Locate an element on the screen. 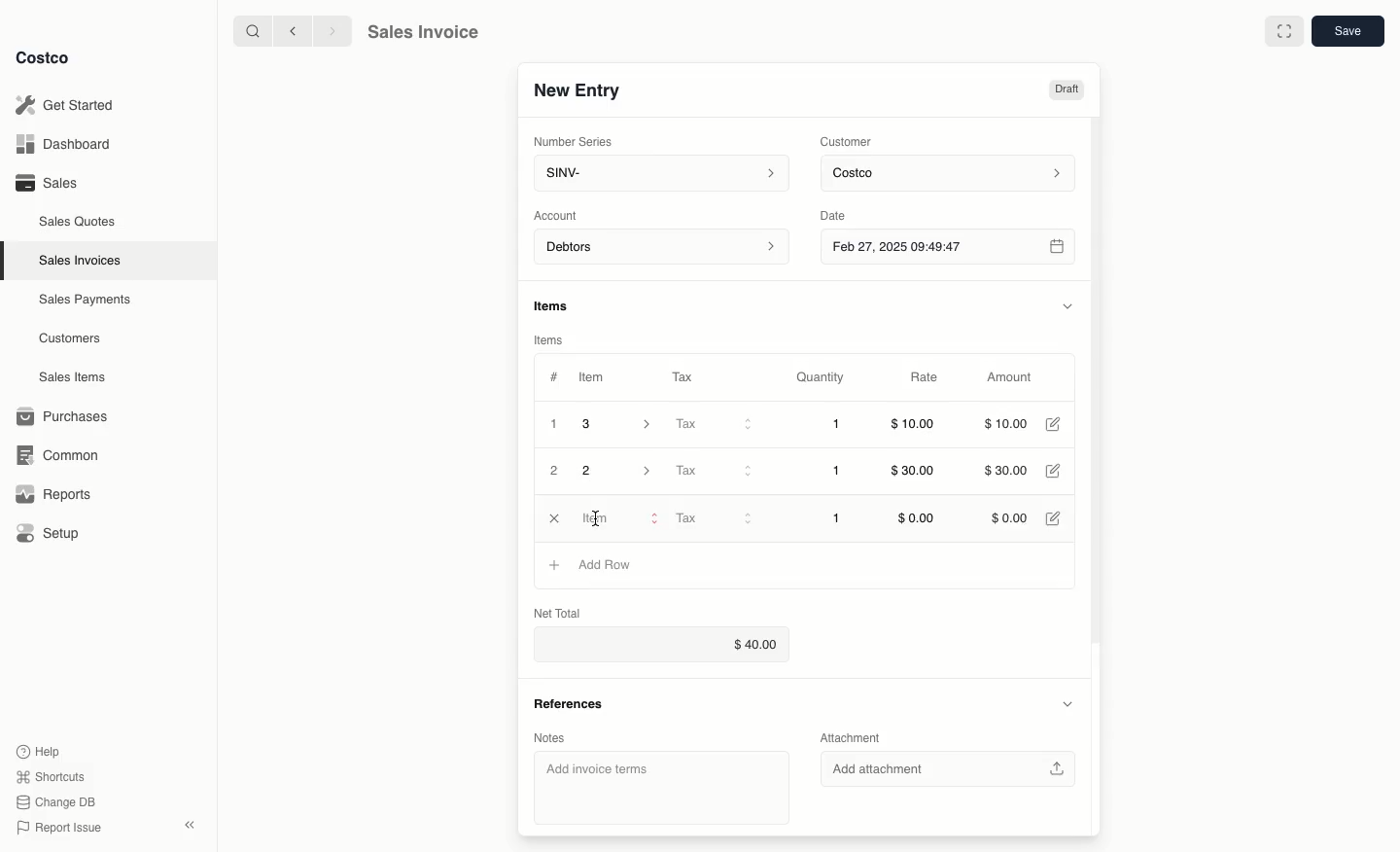 Image resolution: width=1400 pixels, height=852 pixels. Save is located at coordinates (1347, 32).